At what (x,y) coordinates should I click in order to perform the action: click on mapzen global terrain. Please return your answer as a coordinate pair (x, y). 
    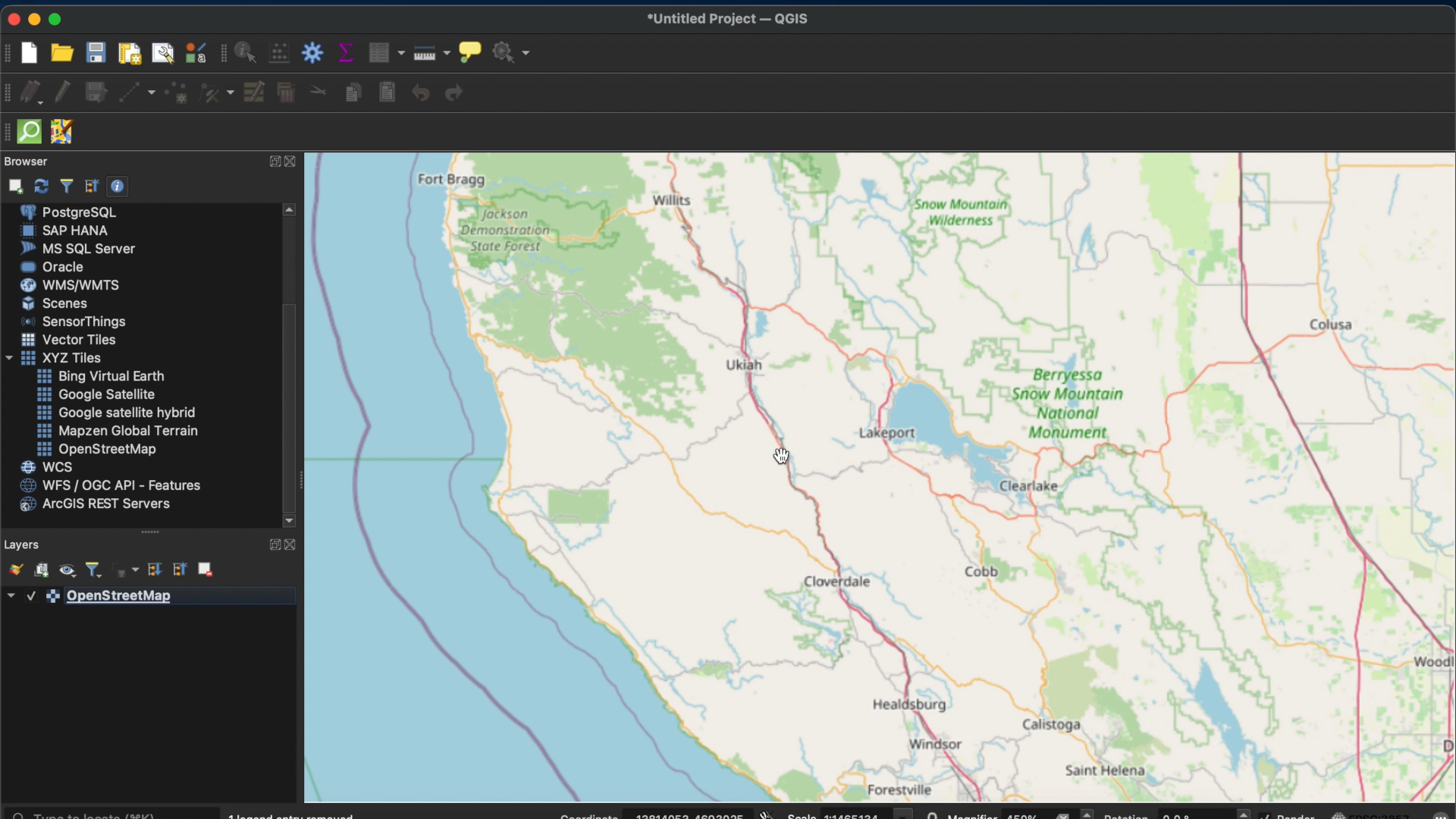
    Looking at the image, I should click on (116, 431).